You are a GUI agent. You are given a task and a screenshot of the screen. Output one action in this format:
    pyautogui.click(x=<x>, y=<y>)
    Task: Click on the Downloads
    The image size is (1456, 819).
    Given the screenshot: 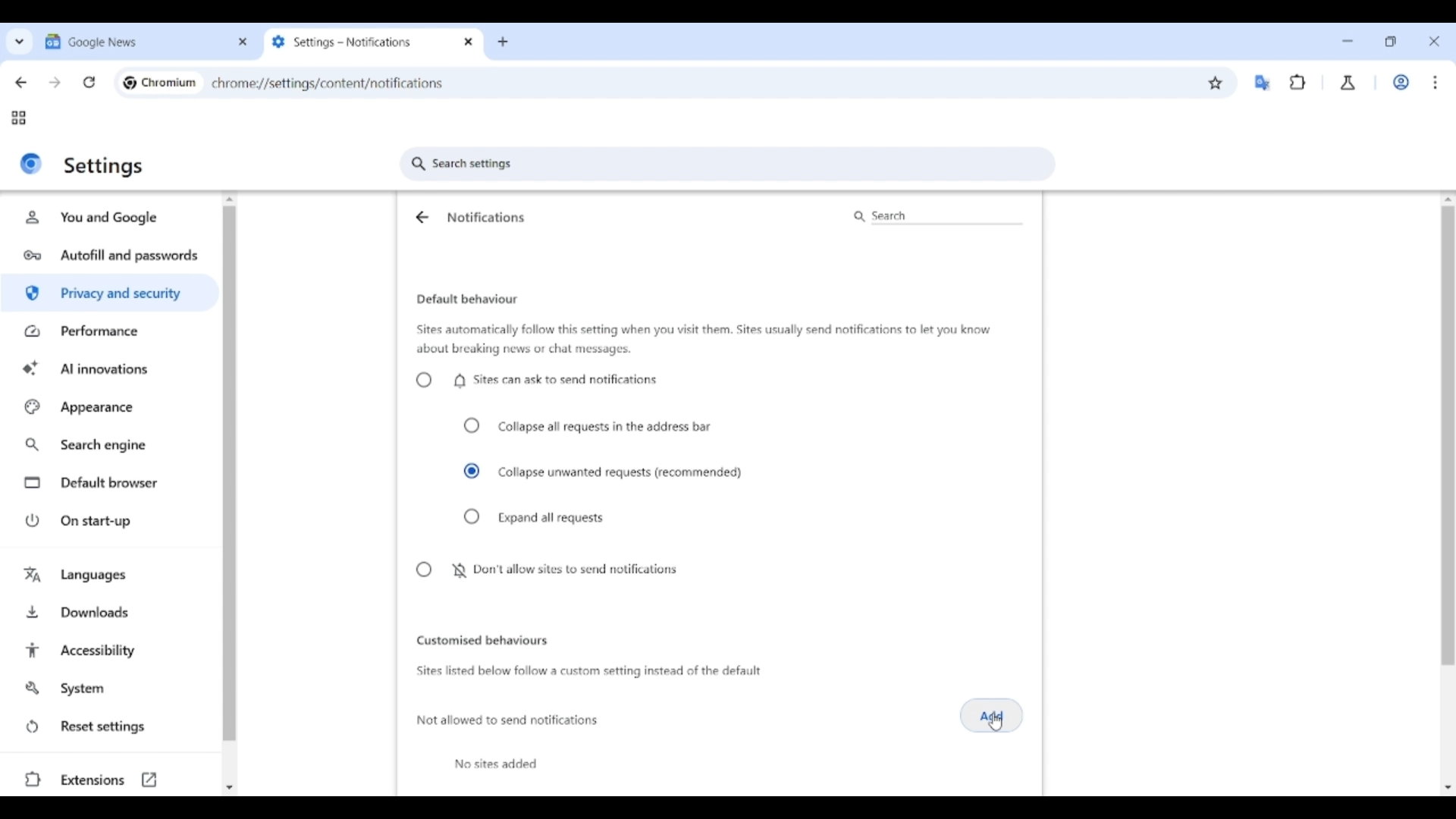 What is the action you would take?
    pyautogui.click(x=111, y=610)
    